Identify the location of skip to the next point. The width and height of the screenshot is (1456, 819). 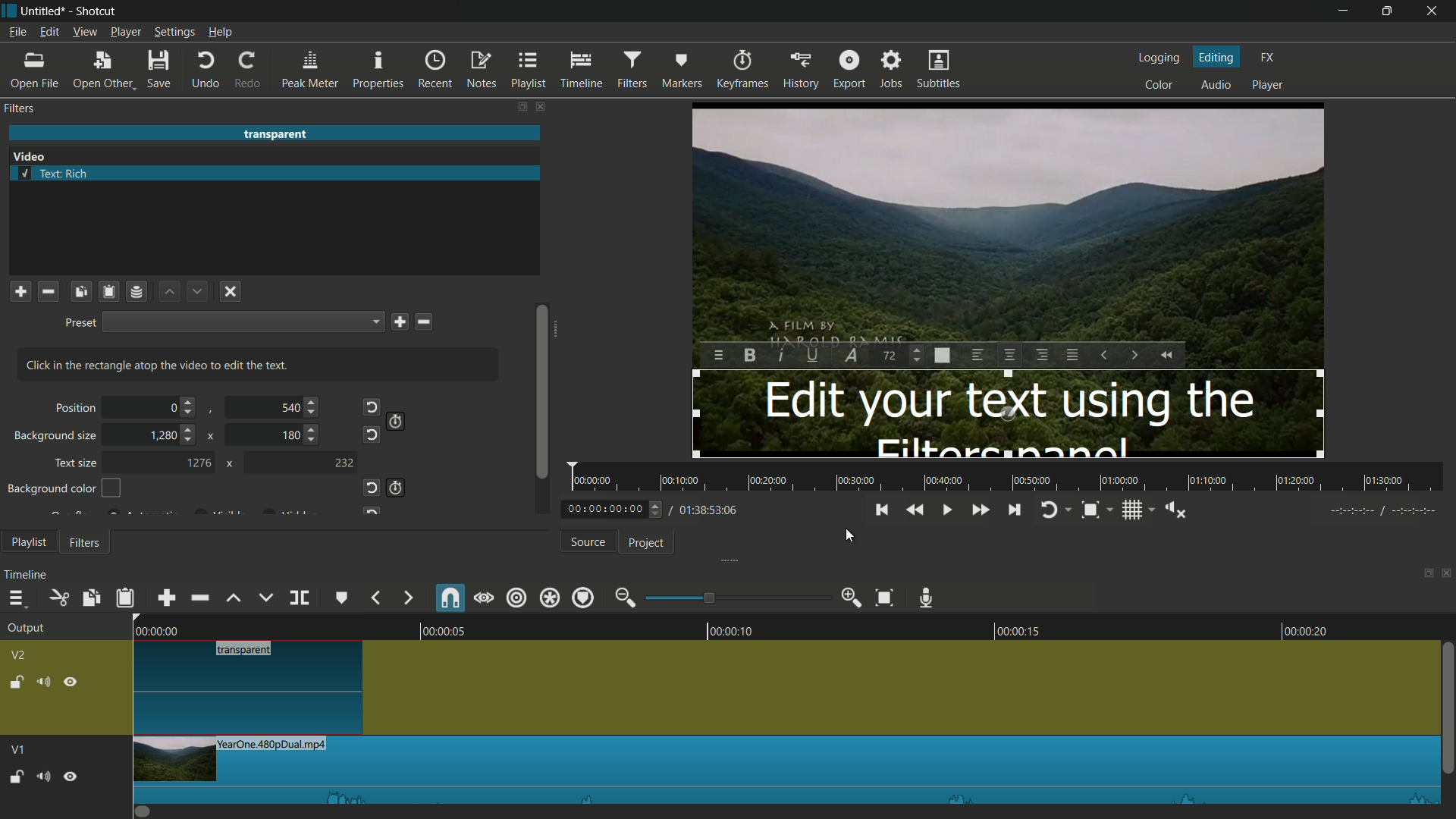
(1015, 510).